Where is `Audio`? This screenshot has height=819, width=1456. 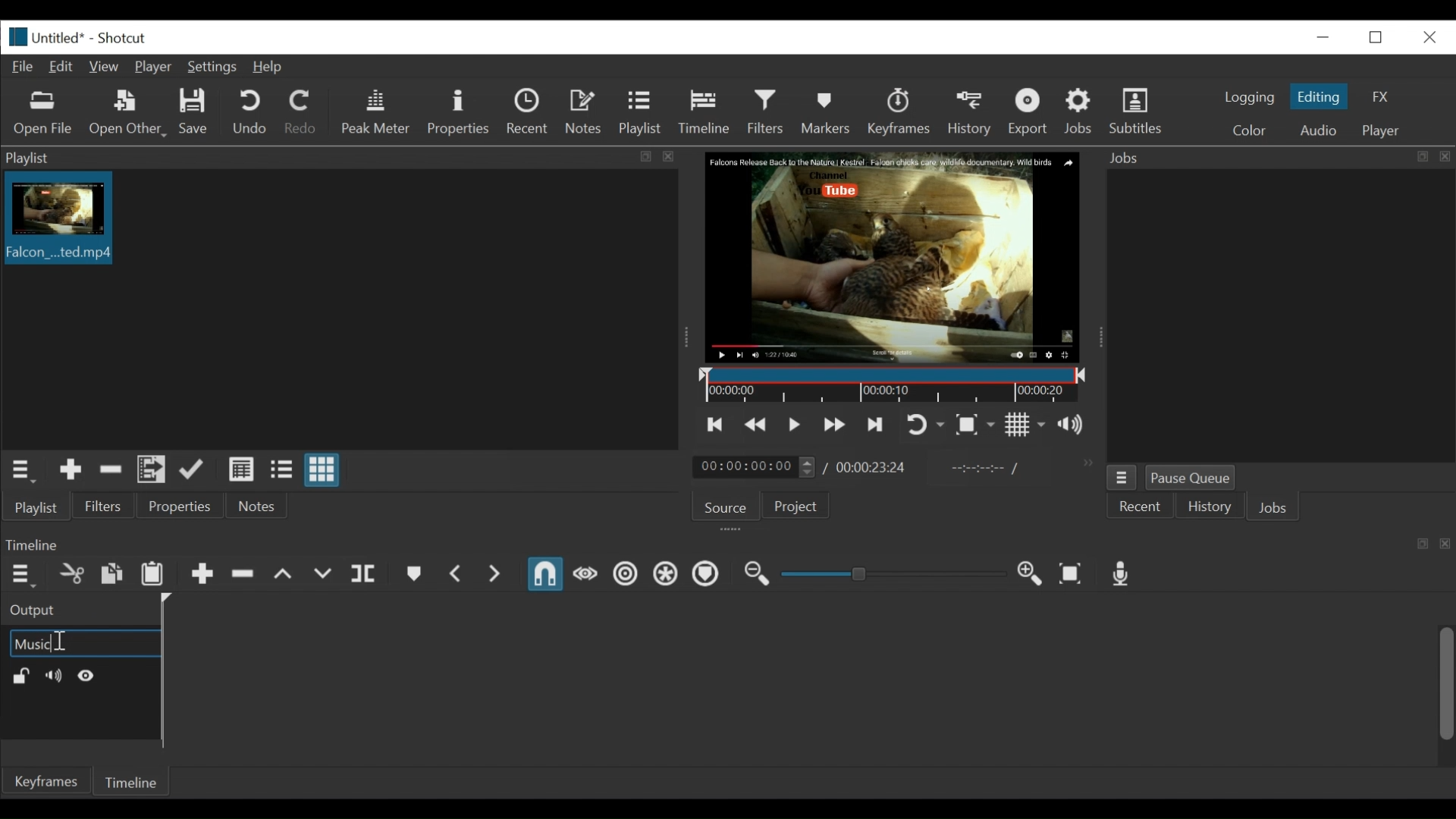 Audio is located at coordinates (1316, 129).